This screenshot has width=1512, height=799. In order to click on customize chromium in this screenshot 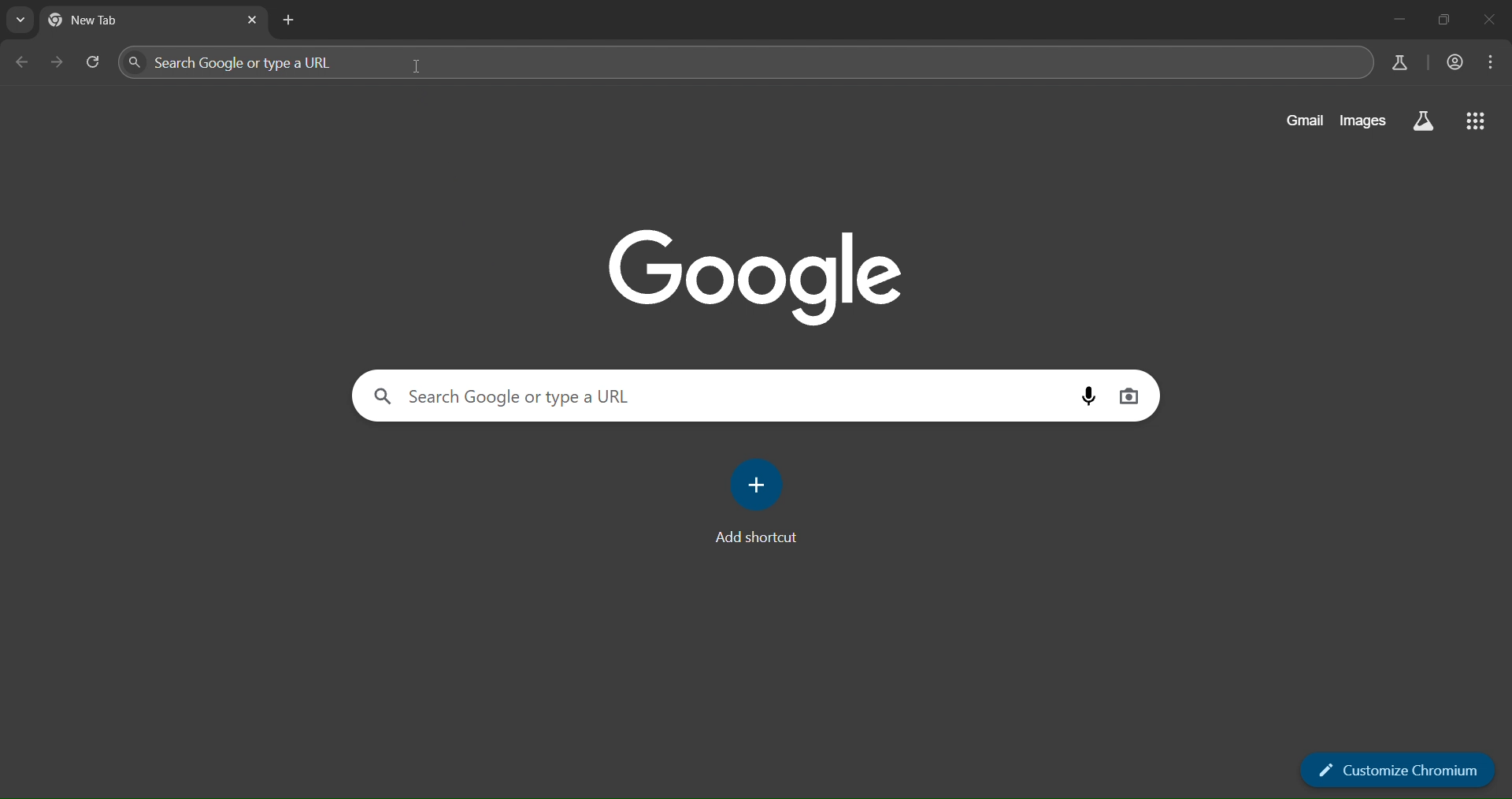, I will do `click(1399, 769)`.